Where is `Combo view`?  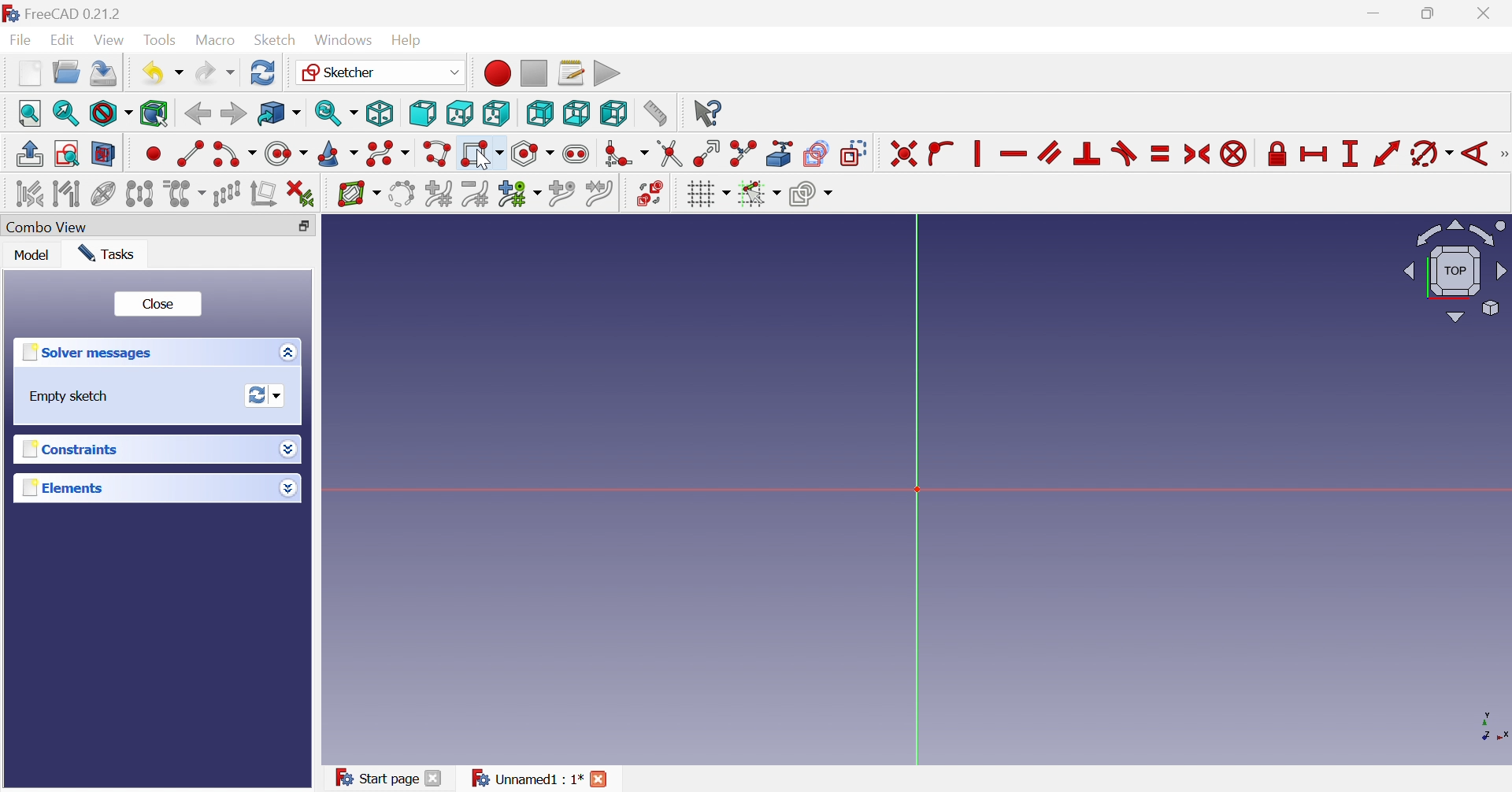
Combo view is located at coordinates (53, 228).